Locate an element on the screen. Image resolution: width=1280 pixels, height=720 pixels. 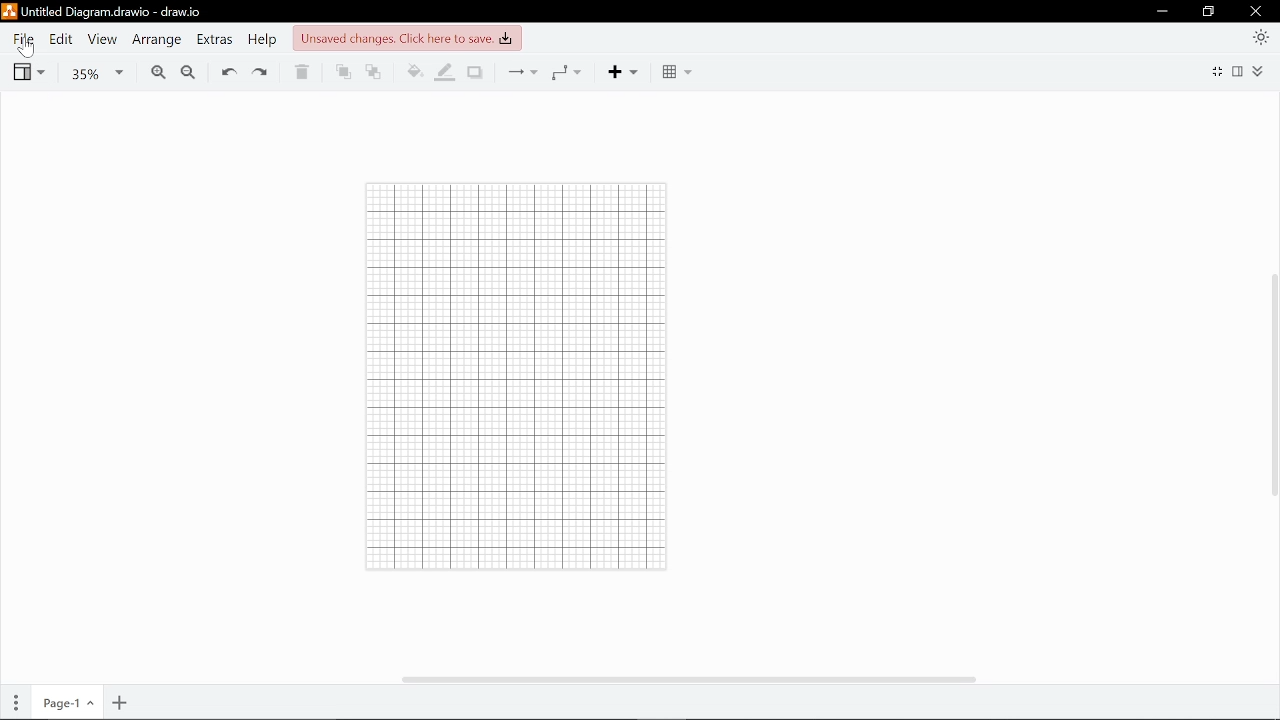
Close is located at coordinates (1259, 12).